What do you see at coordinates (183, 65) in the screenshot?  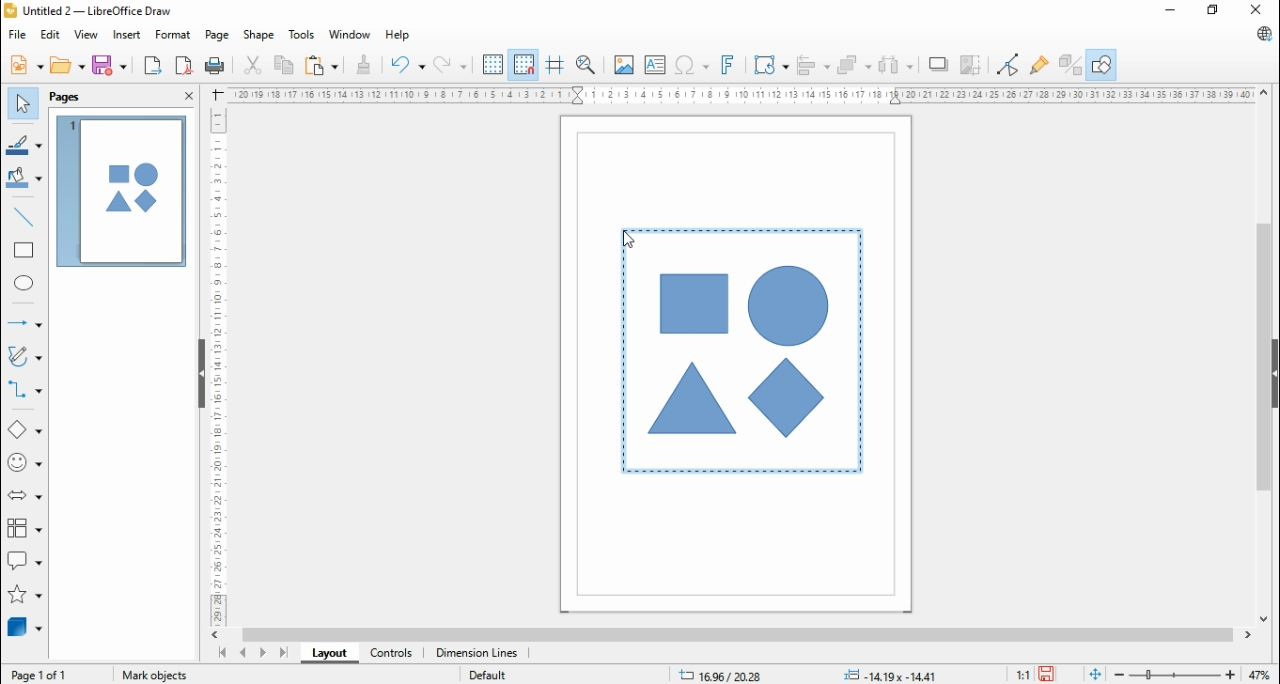 I see `export directly as pdf` at bounding box center [183, 65].